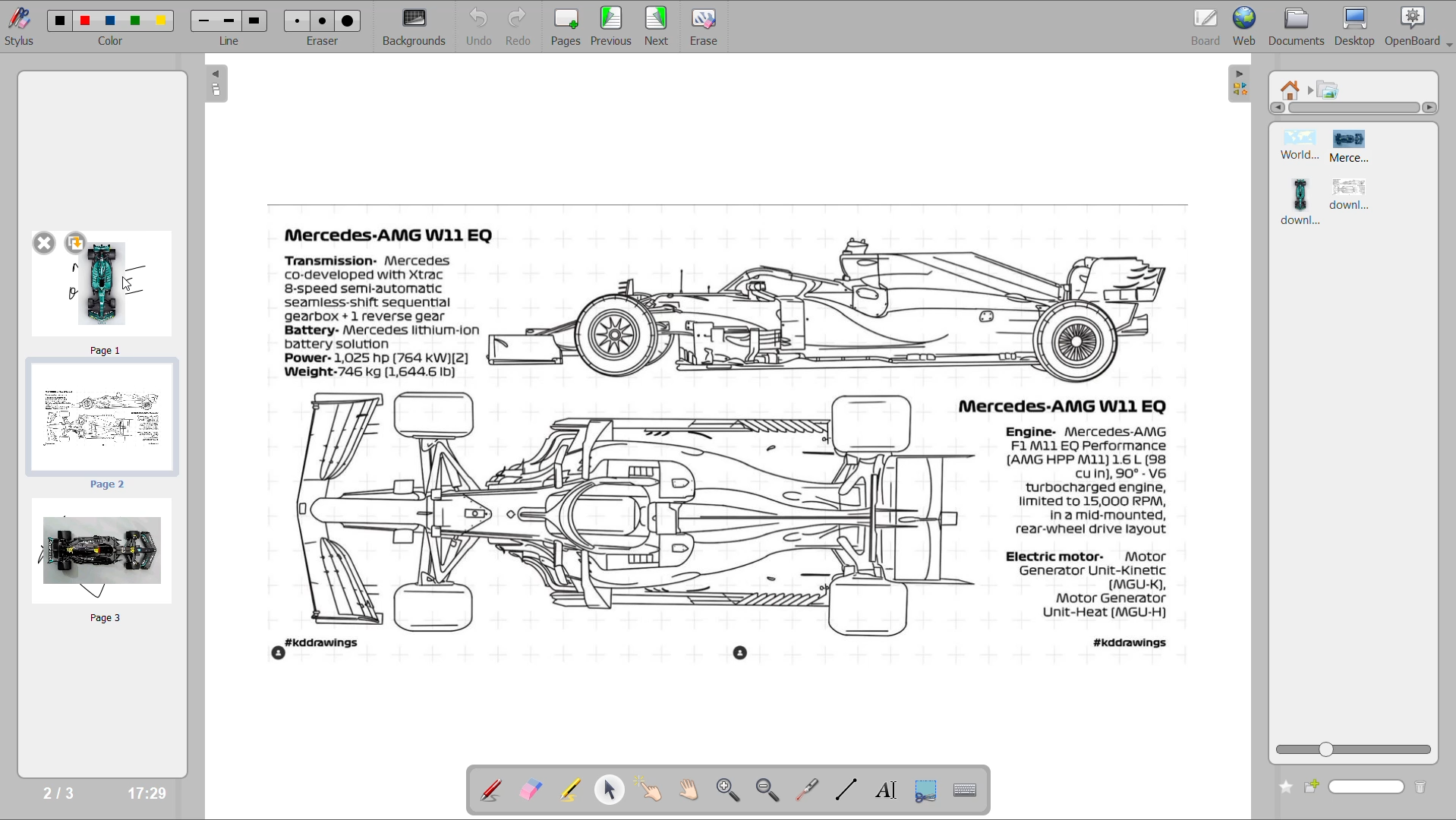 Image resolution: width=1456 pixels, height=820 pixels. What do you see at coordinates (1292, 89) in the screenshot?
I see `root` at bounding box center [1292, 89].